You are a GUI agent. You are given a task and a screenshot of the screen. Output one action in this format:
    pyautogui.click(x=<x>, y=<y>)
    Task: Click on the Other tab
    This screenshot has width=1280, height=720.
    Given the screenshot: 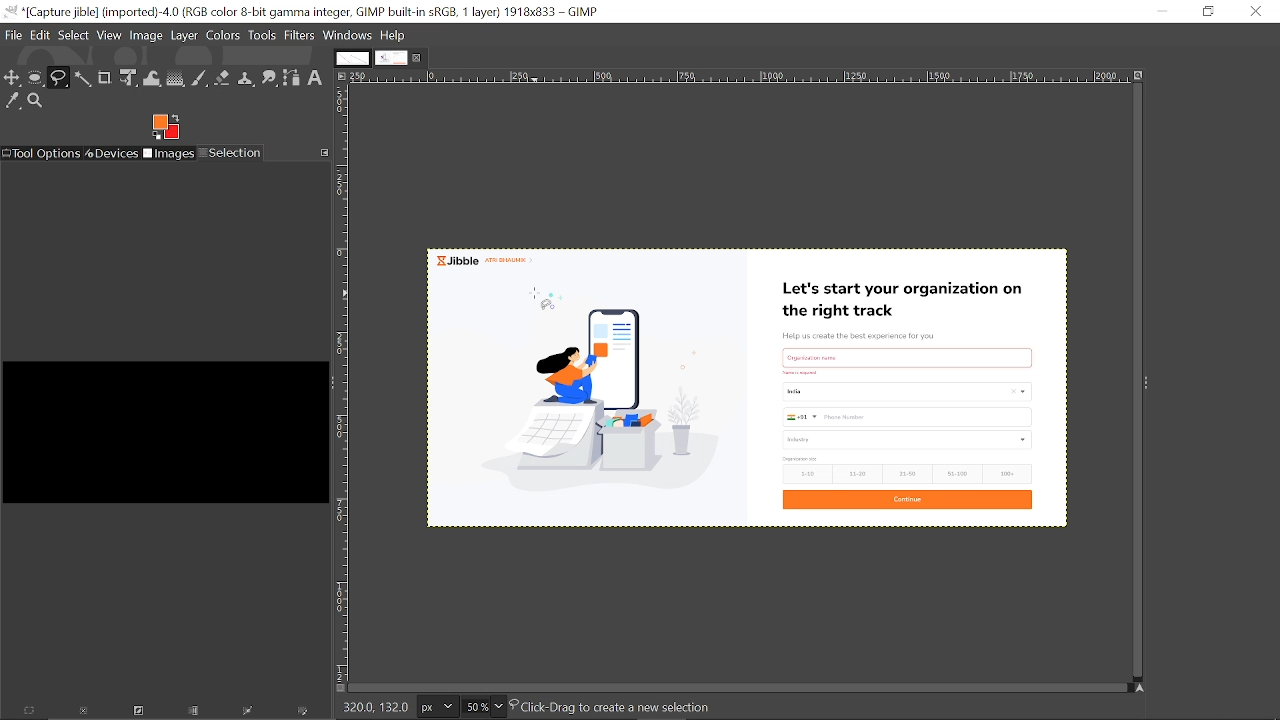 What is the action you would take?
    pyautogui.click(x=351, y=58)
    